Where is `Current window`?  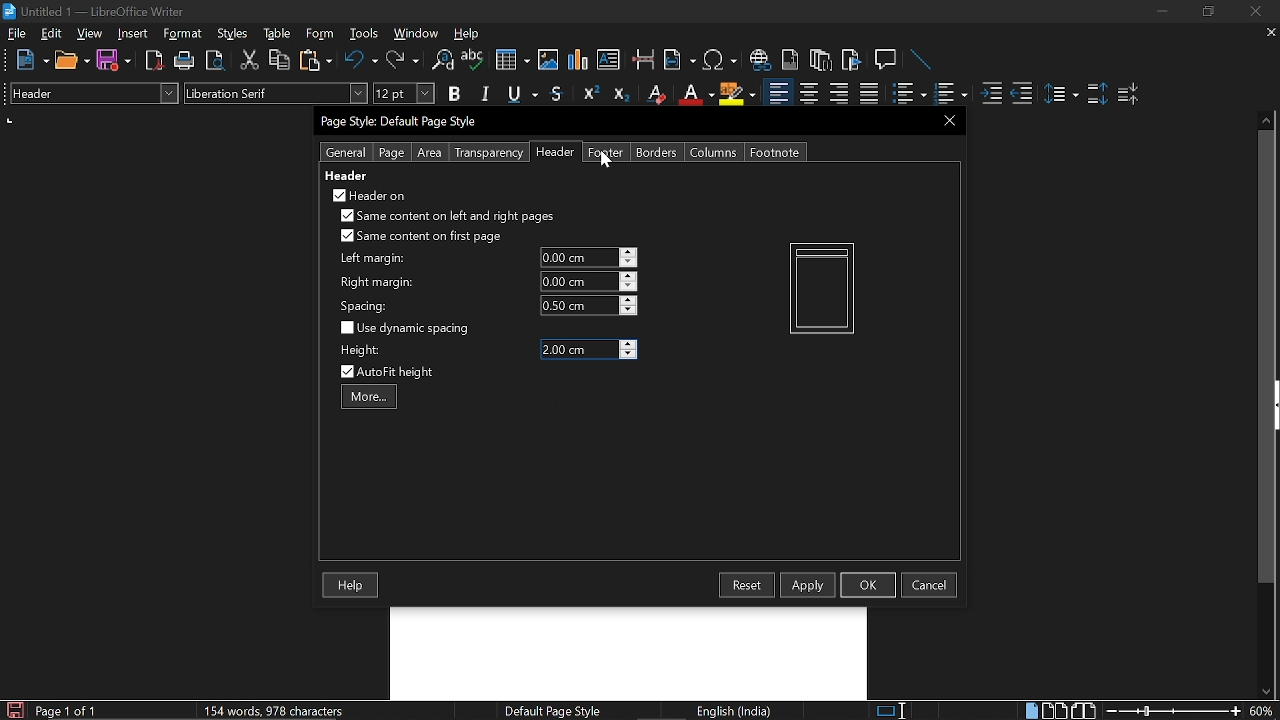
Current window is located at coordinates (94, 12).